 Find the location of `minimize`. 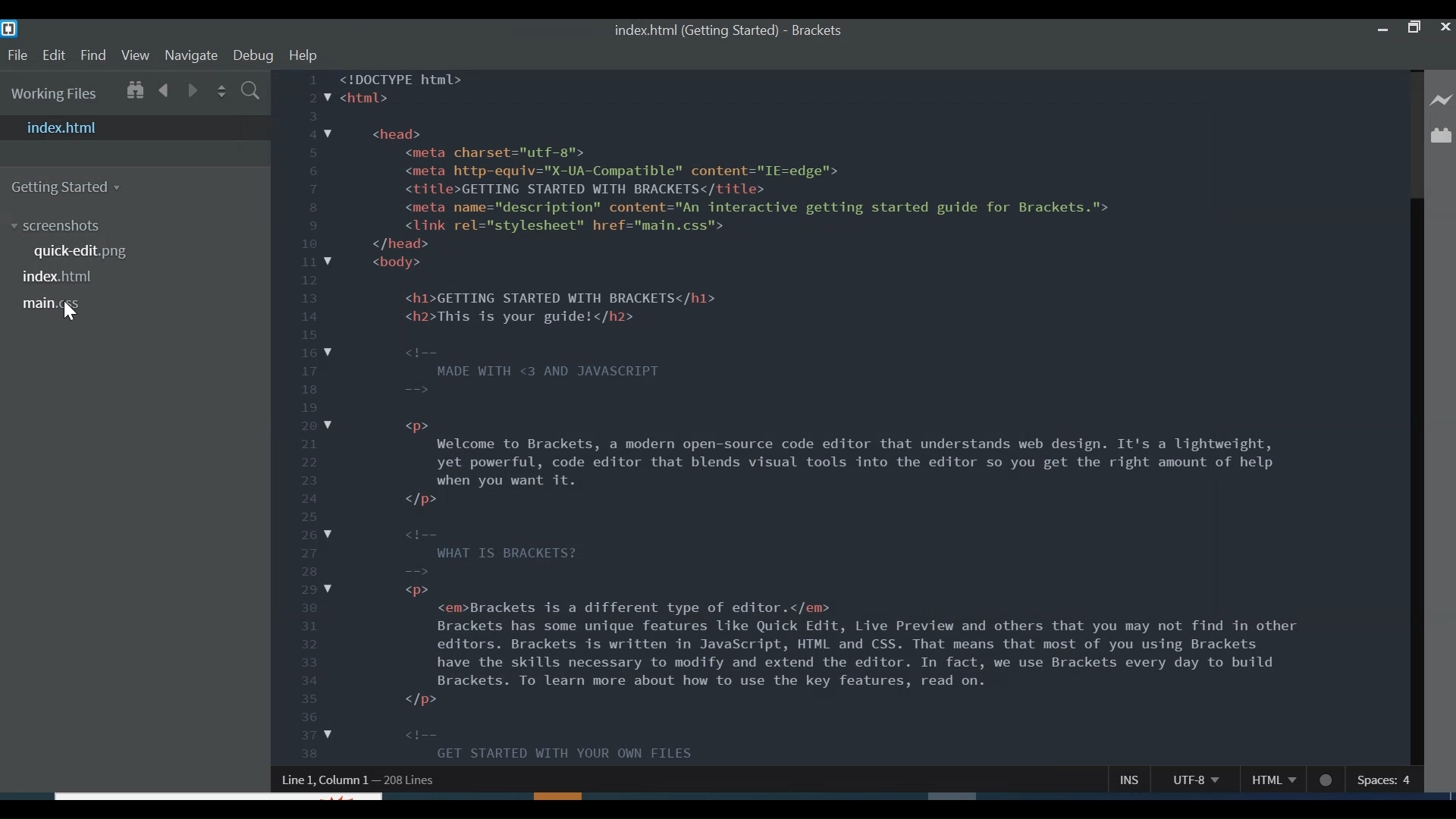

minimize is located at coordinates (1384, 29).